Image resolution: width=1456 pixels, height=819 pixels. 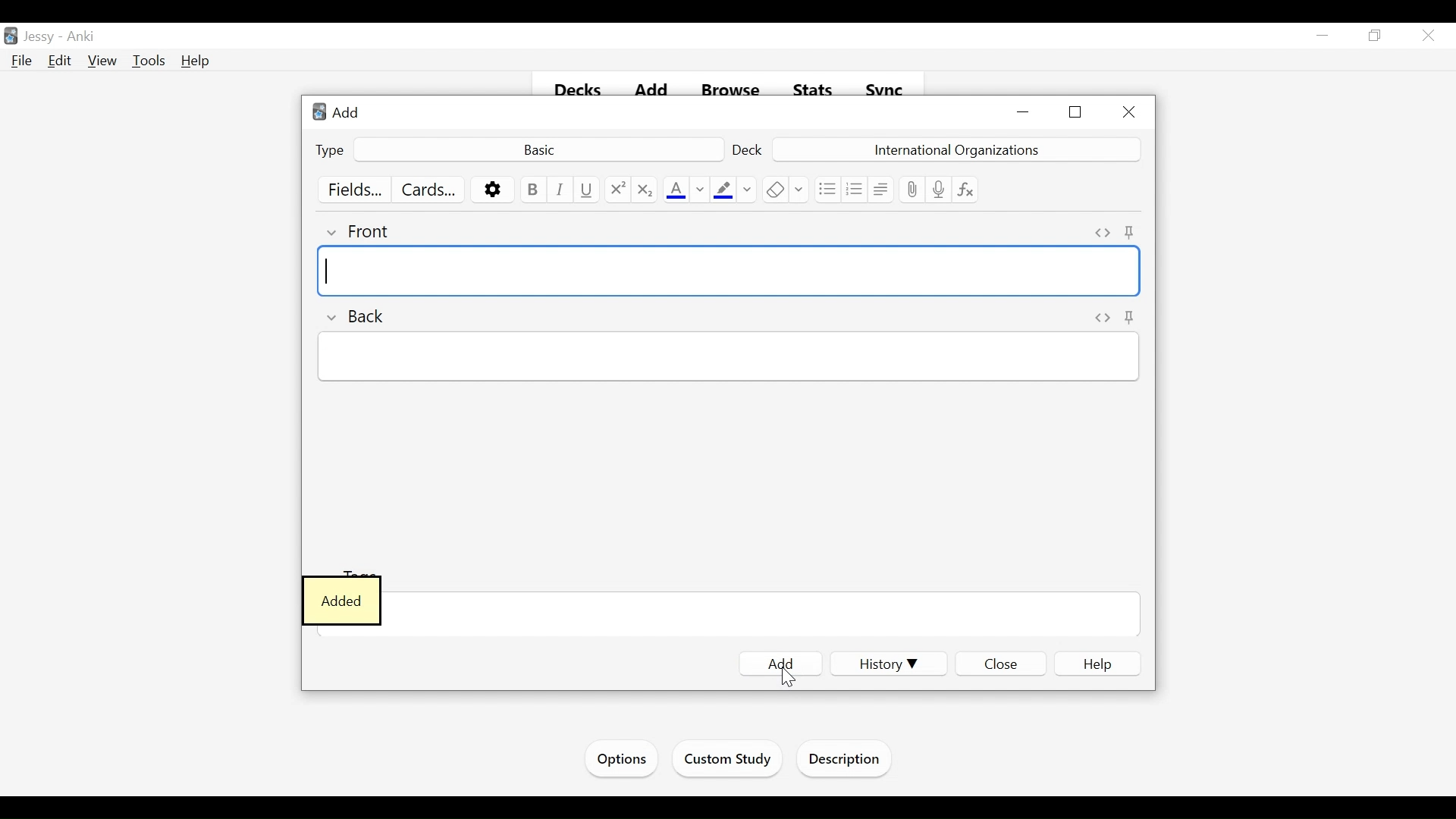 What do you see at coordinates (748, 190) in the screenshot?
I see `Change Color` at bounding box center [748, 190].